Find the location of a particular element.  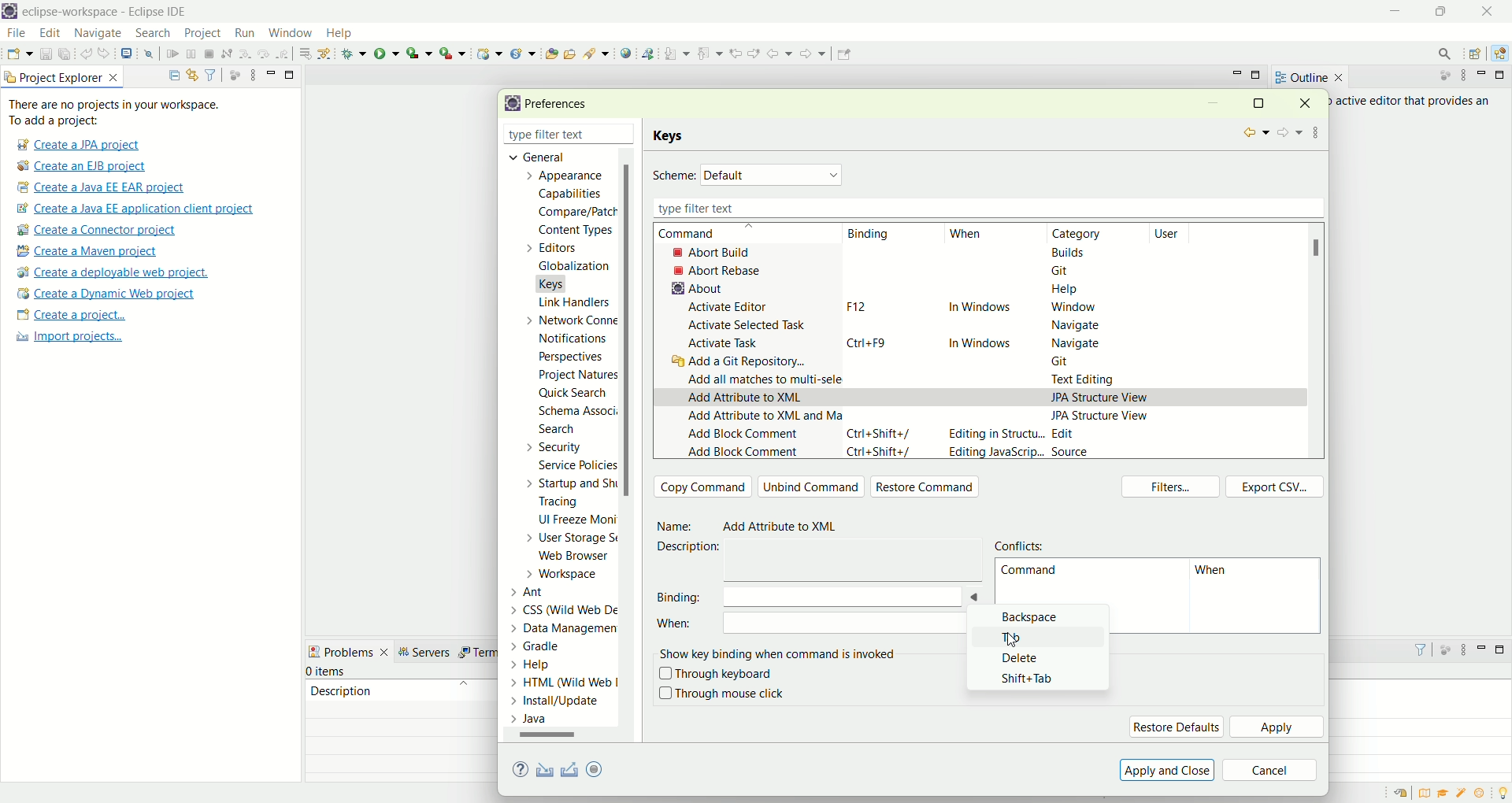

hen is located at coordinates (1216, 573).